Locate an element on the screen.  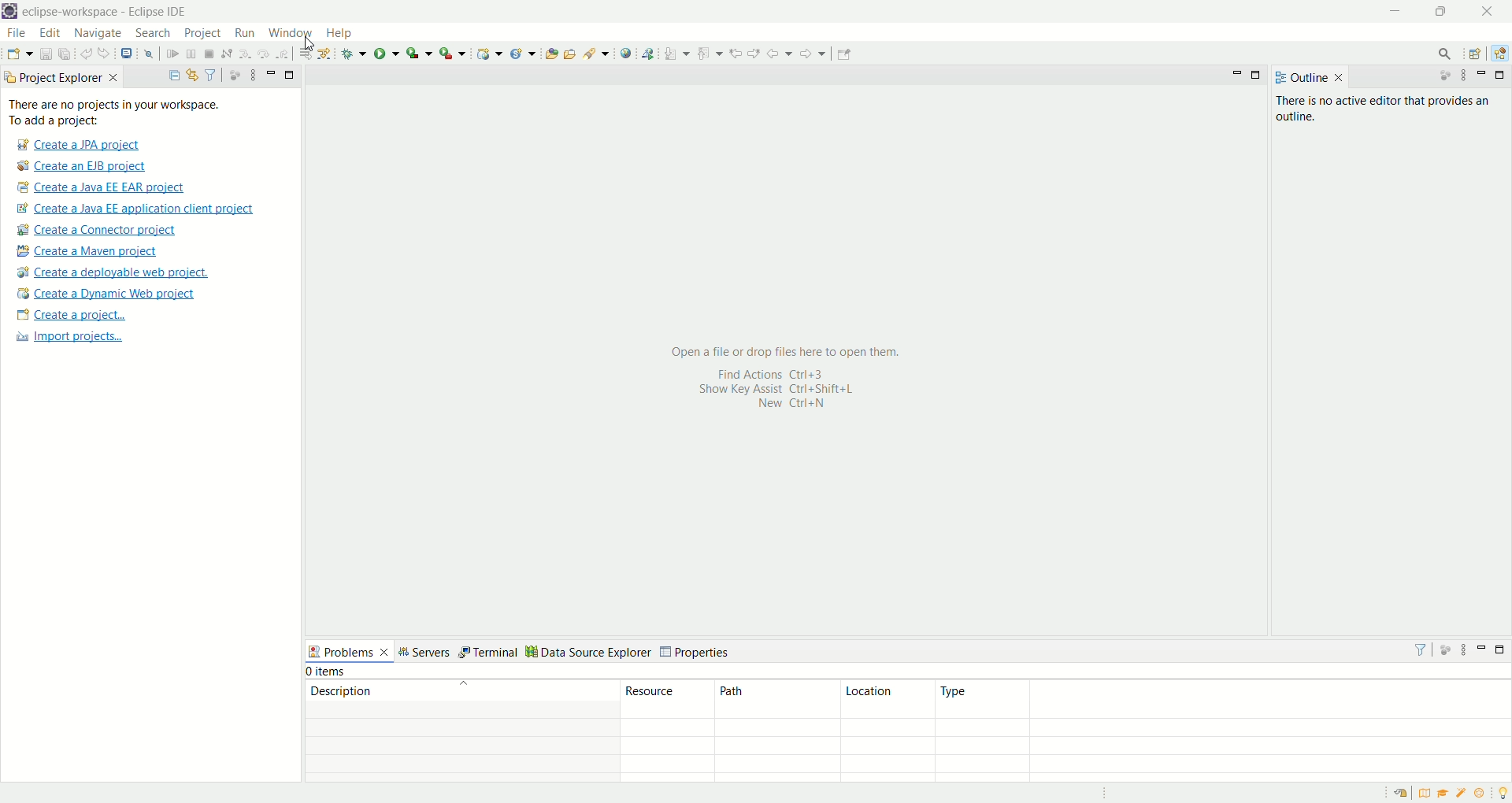
create a dynamic web project is located at coordinates (106, 294).